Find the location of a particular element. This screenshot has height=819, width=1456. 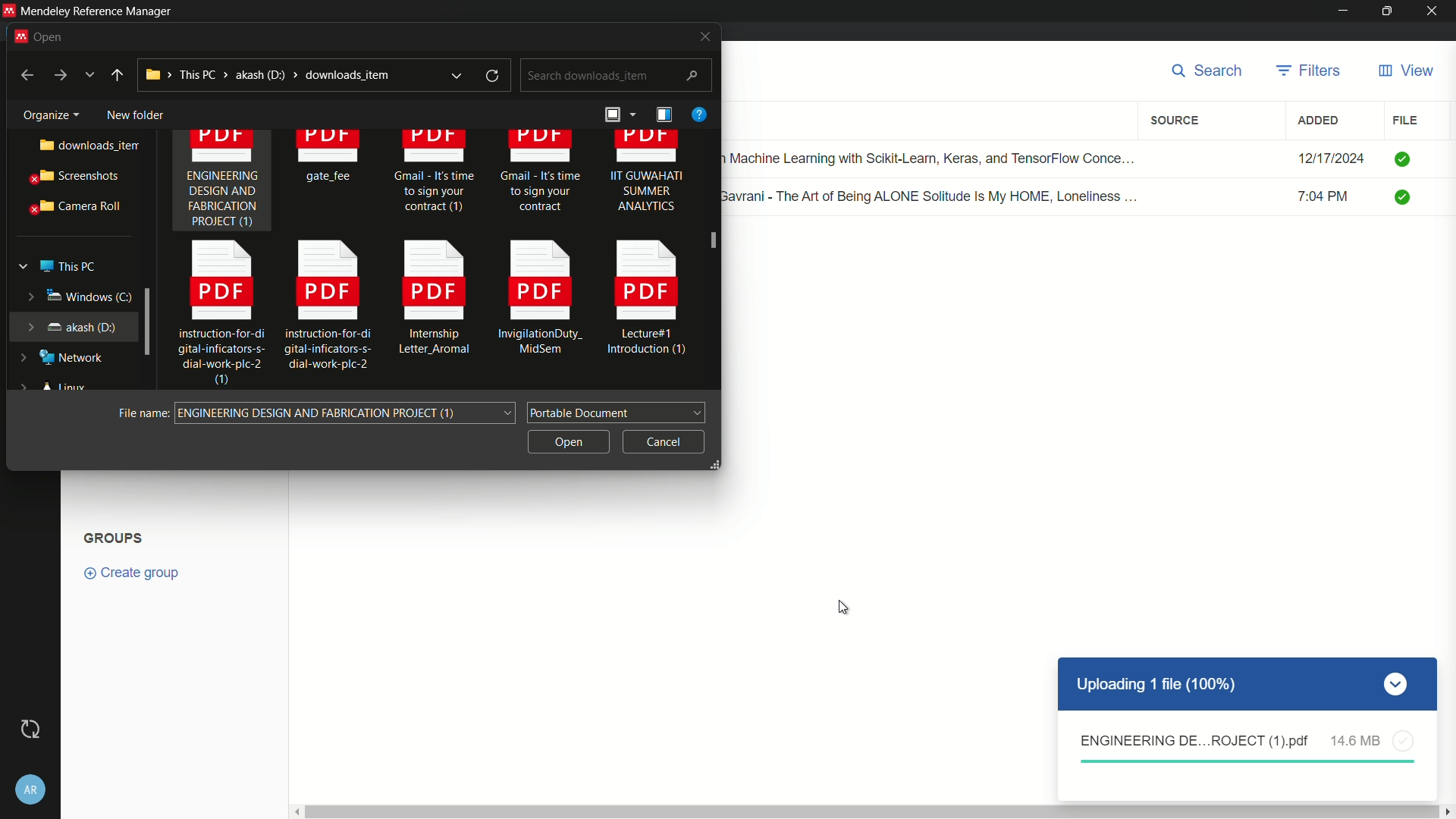

scroll bar is located at coordinates (713, 261).